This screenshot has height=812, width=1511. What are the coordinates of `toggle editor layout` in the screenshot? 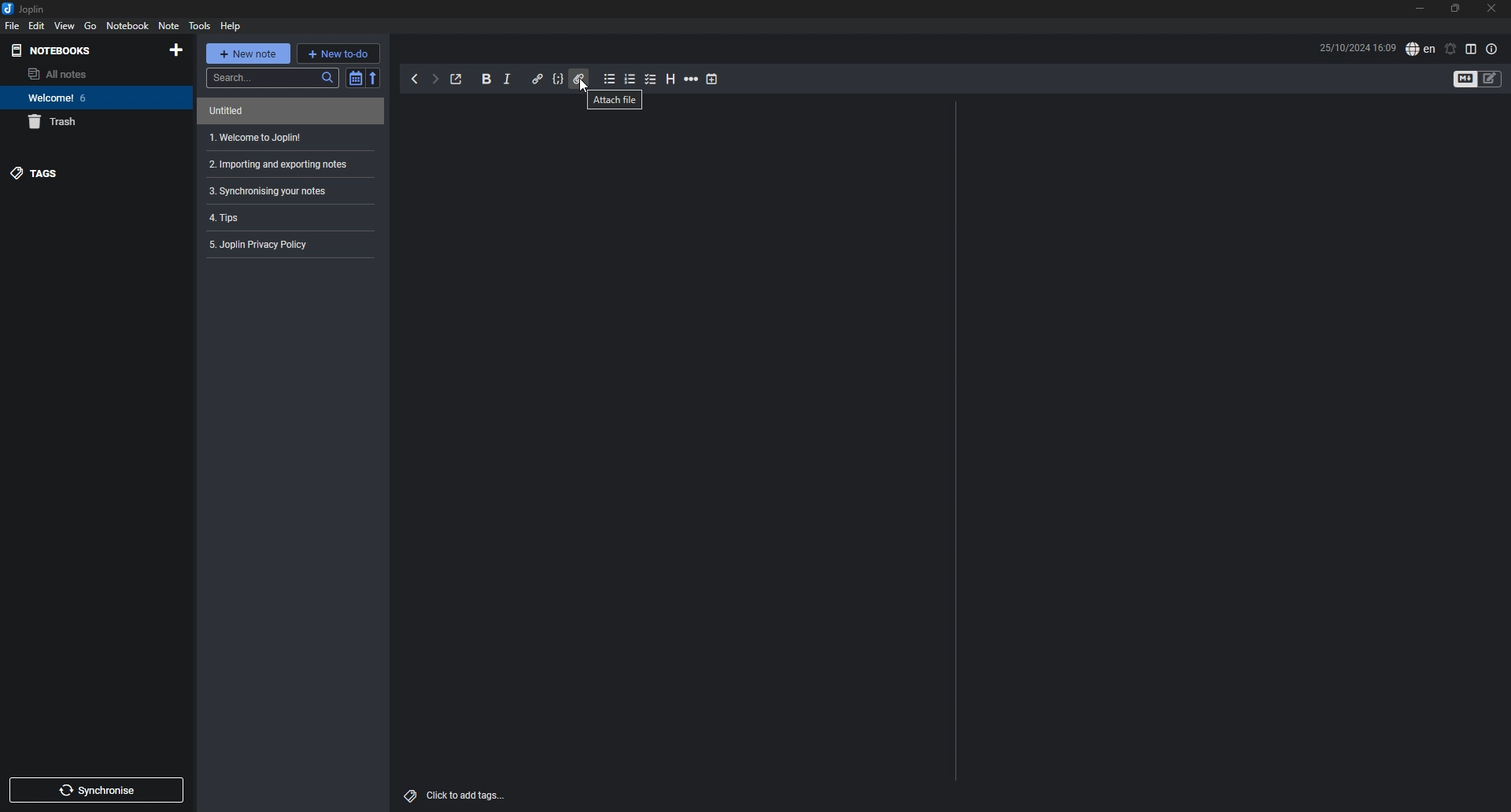 It's located at (1472, 50).